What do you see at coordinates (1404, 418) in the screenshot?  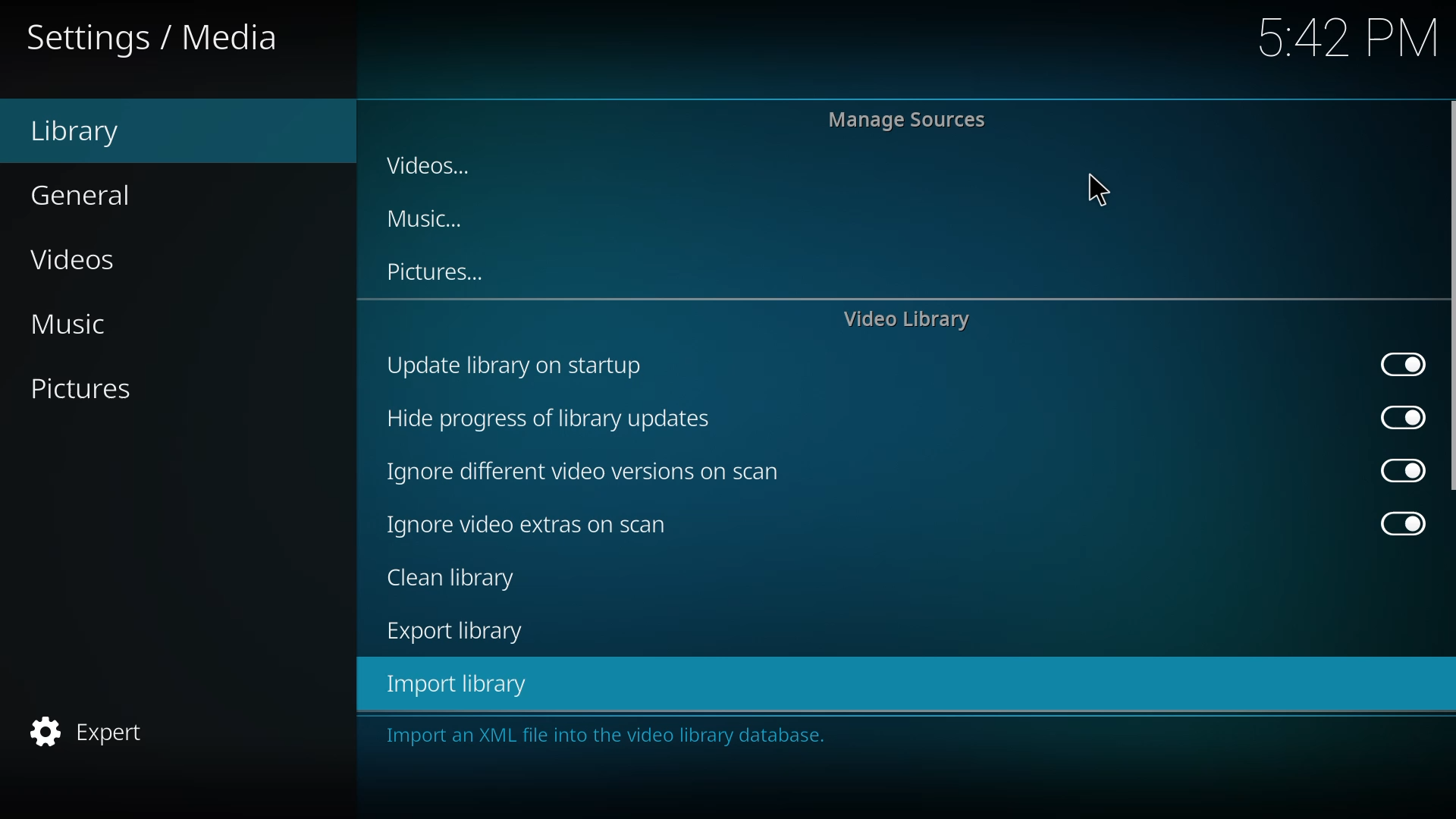 I see `enabled` at bounding box center [1404, 418].